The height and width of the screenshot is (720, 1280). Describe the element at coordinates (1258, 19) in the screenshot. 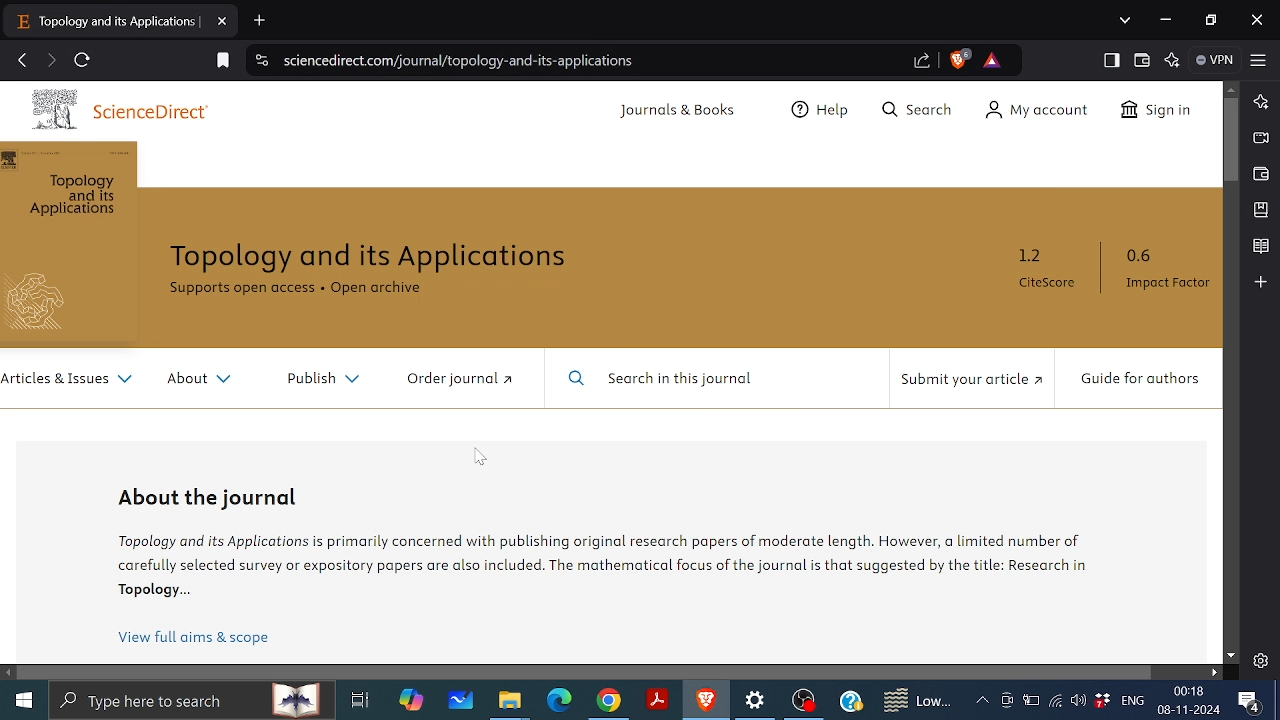

I see `Close` at that location.